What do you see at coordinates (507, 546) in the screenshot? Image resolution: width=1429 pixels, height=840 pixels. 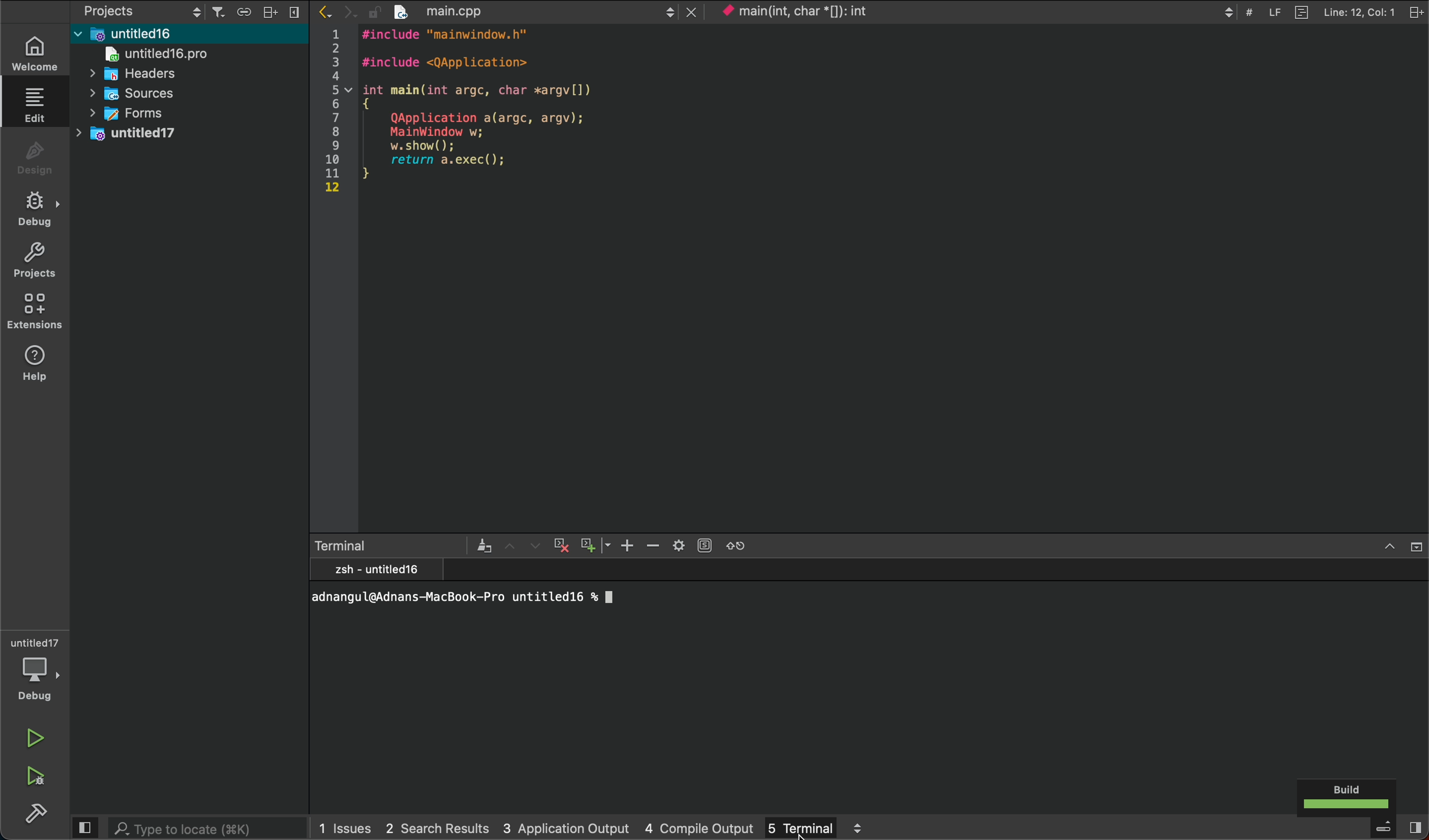 I see `upwards` at bounding box center [507, 546].